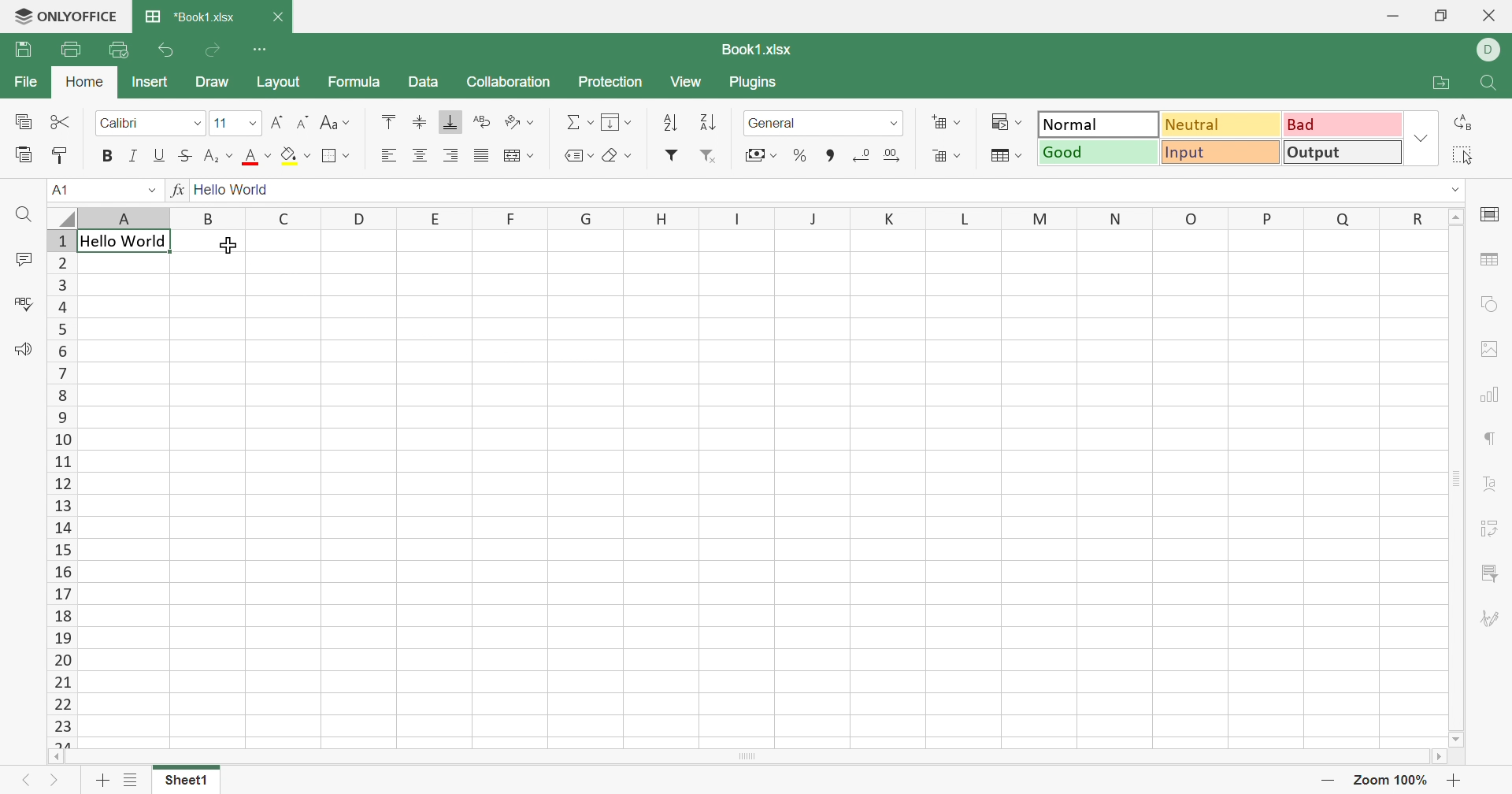  Describe the element at coordinates (1390, 781) in the screenshot. I see `Zoom 100%` at that location.